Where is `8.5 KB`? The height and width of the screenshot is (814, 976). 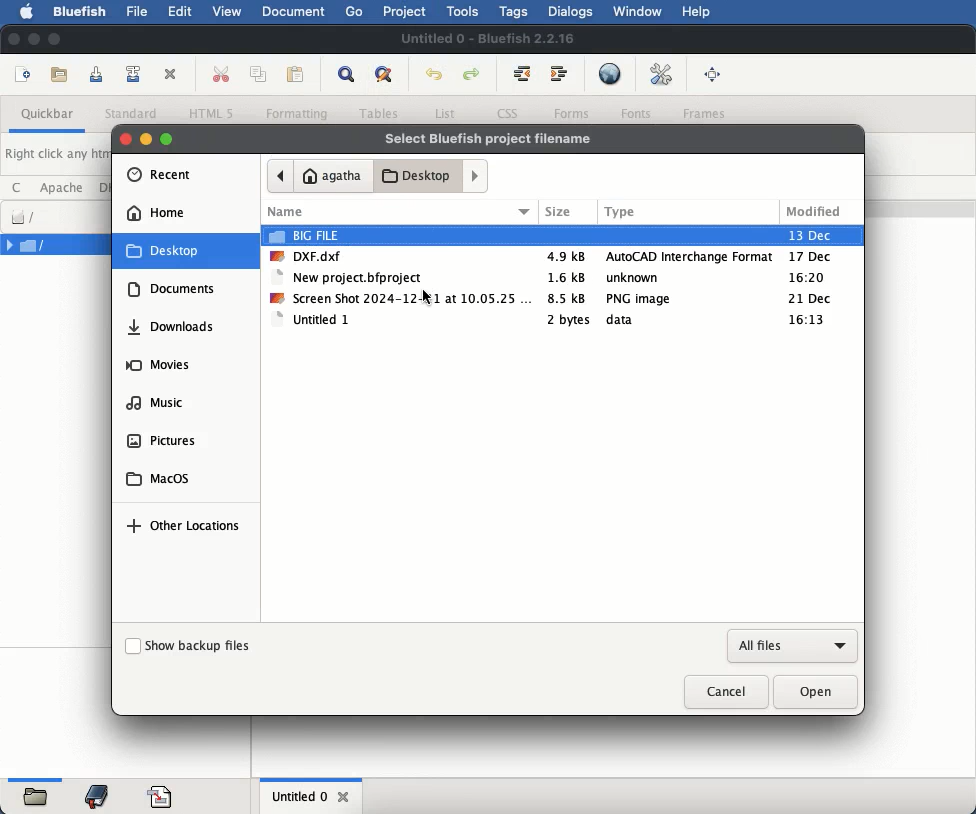
8.5 KB is located at coordinates (568, 298).